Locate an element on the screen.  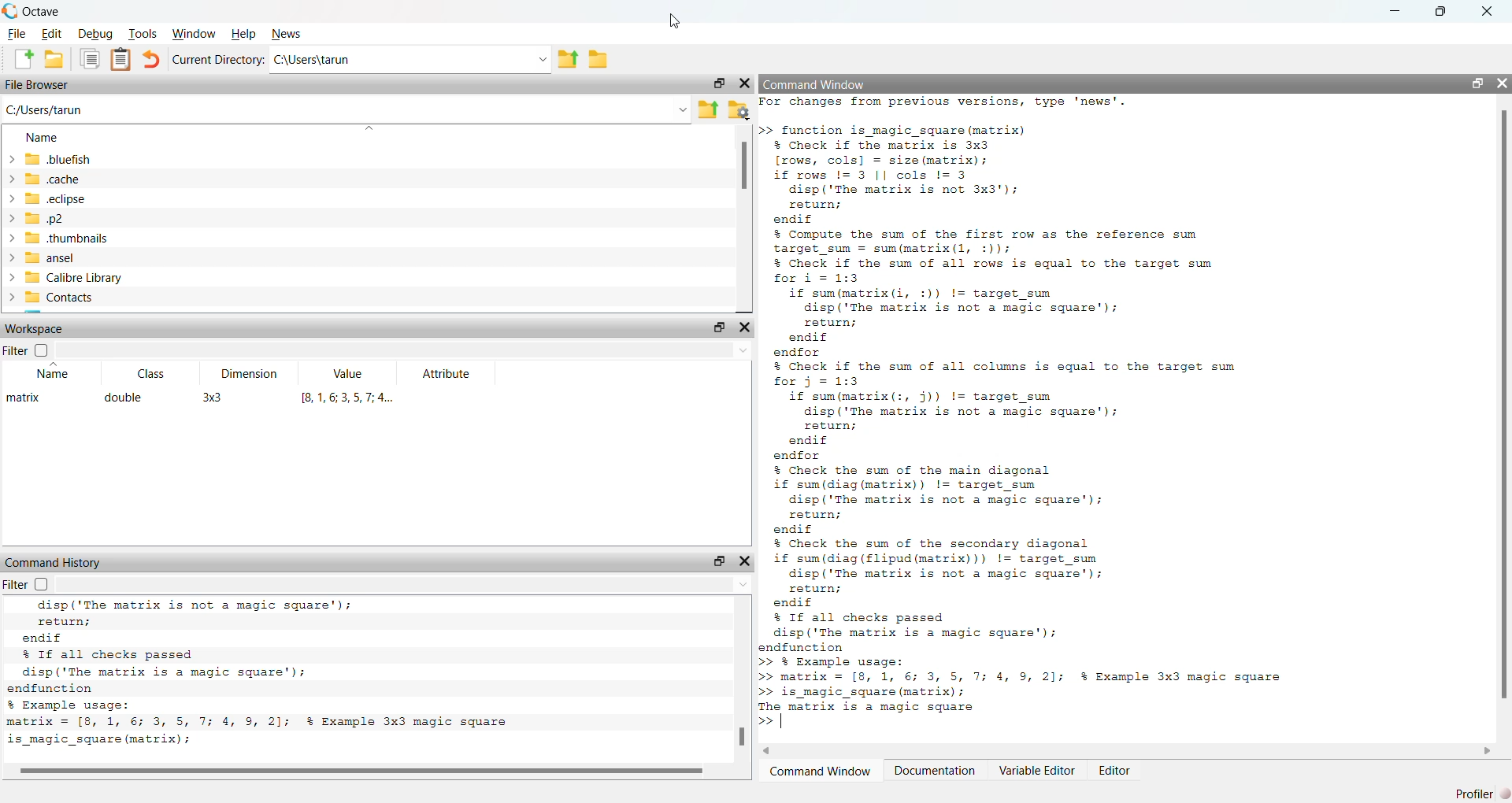
scroll bar is located at coordinates (1504, 407).